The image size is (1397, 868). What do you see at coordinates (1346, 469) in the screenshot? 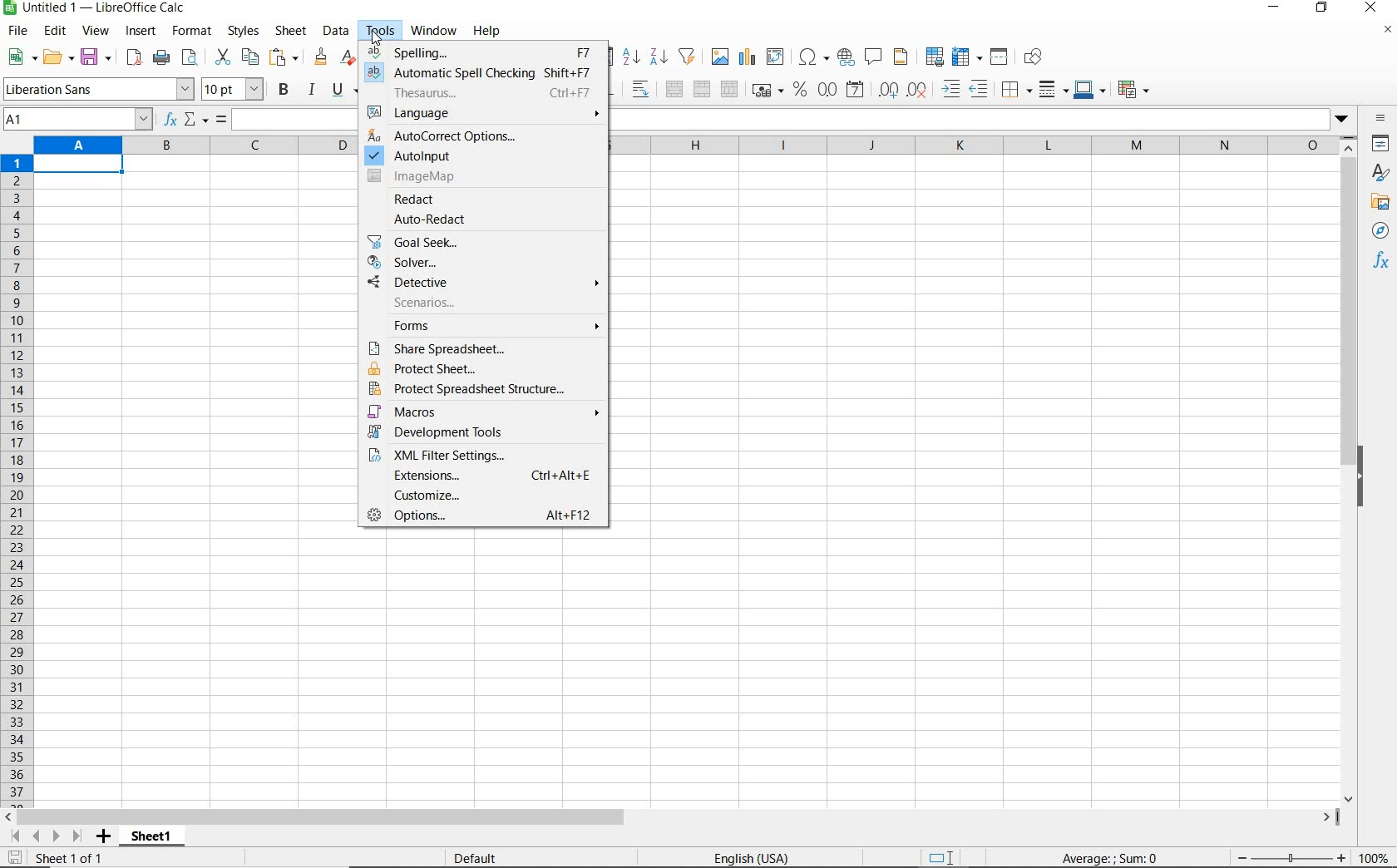
I see `SCROLLBAR` at bounding box center [1346, 469].